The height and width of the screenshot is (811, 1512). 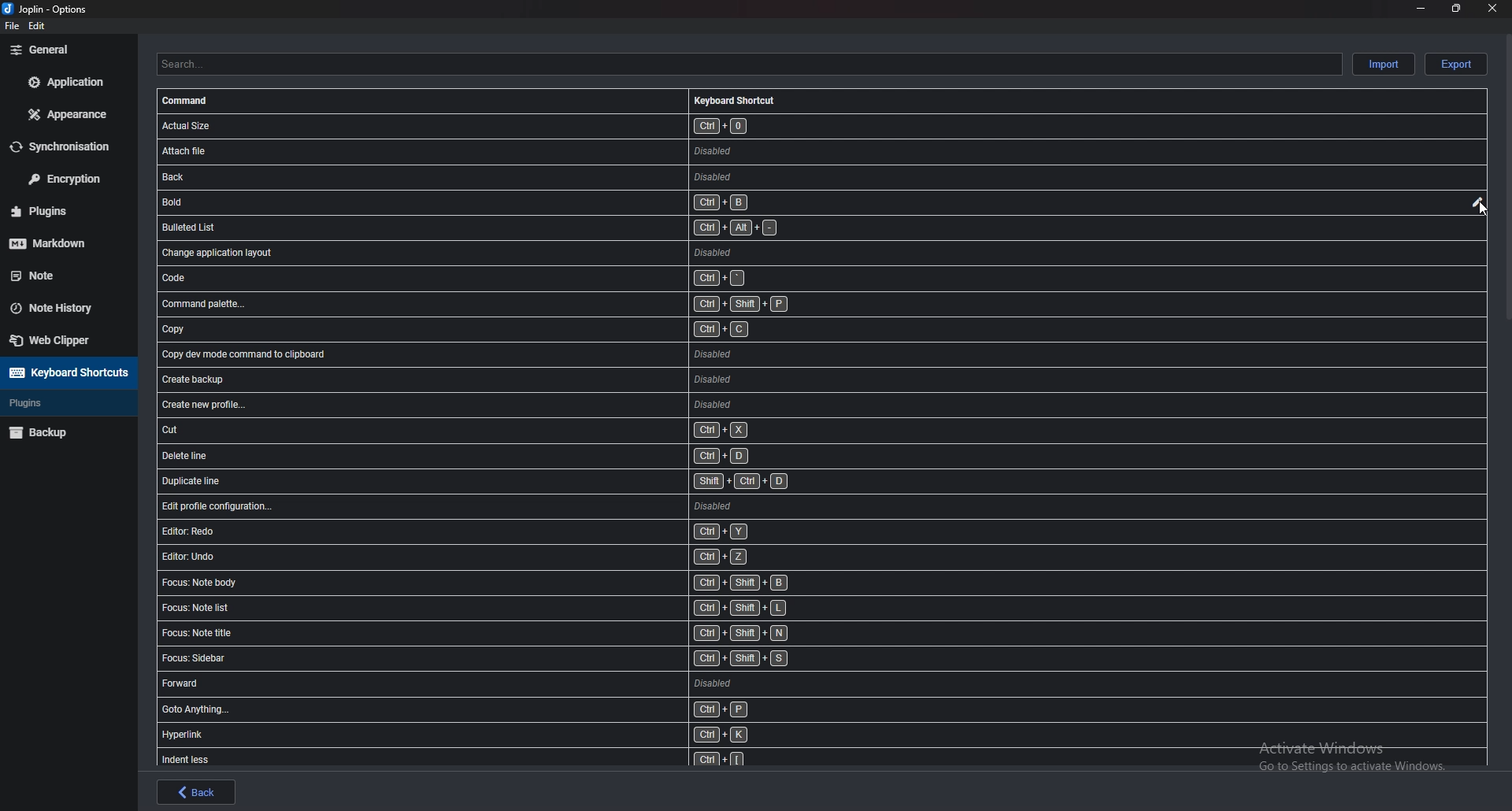 What do you see at coordinates (68, 373) in the screenshot?
I see `Keyboard shortcuts` at bounding box center [68, 373].